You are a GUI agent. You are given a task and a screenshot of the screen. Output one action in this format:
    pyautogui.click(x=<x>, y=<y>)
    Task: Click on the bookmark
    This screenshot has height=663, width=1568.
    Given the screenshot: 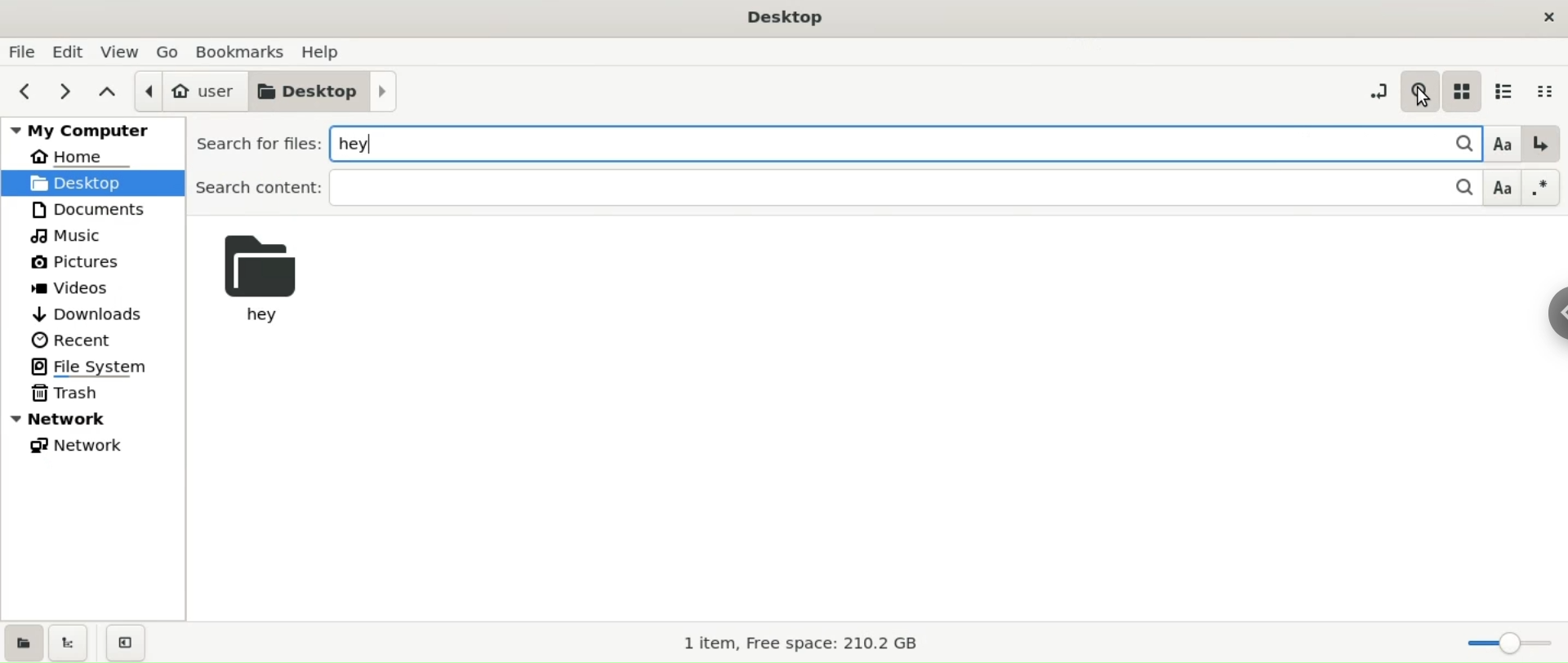 What is the action you would take?
    pyautogui.click(x=242, y=51)
    